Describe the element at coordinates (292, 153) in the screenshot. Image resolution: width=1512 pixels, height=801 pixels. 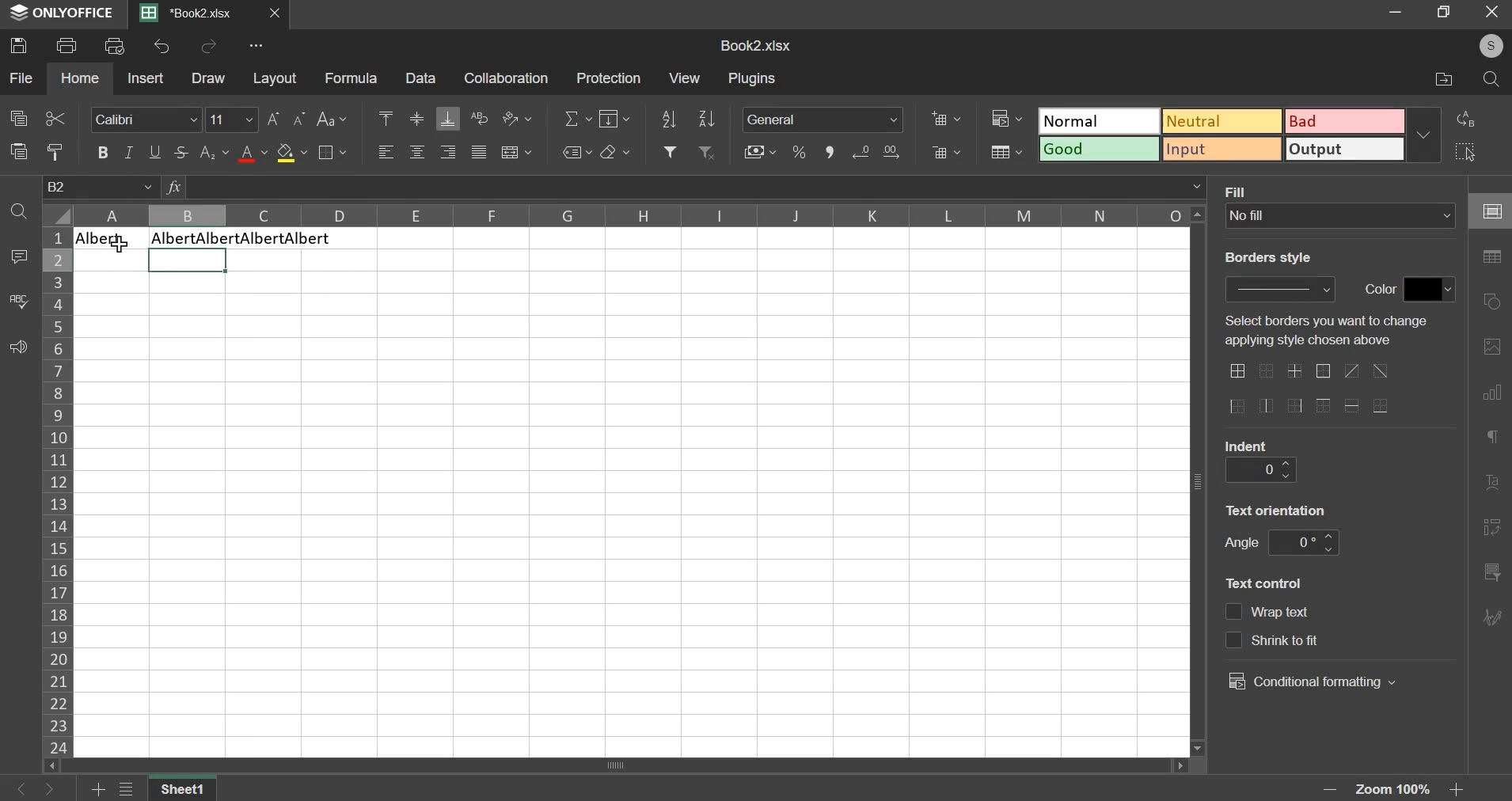
I see `fill color` at that location.